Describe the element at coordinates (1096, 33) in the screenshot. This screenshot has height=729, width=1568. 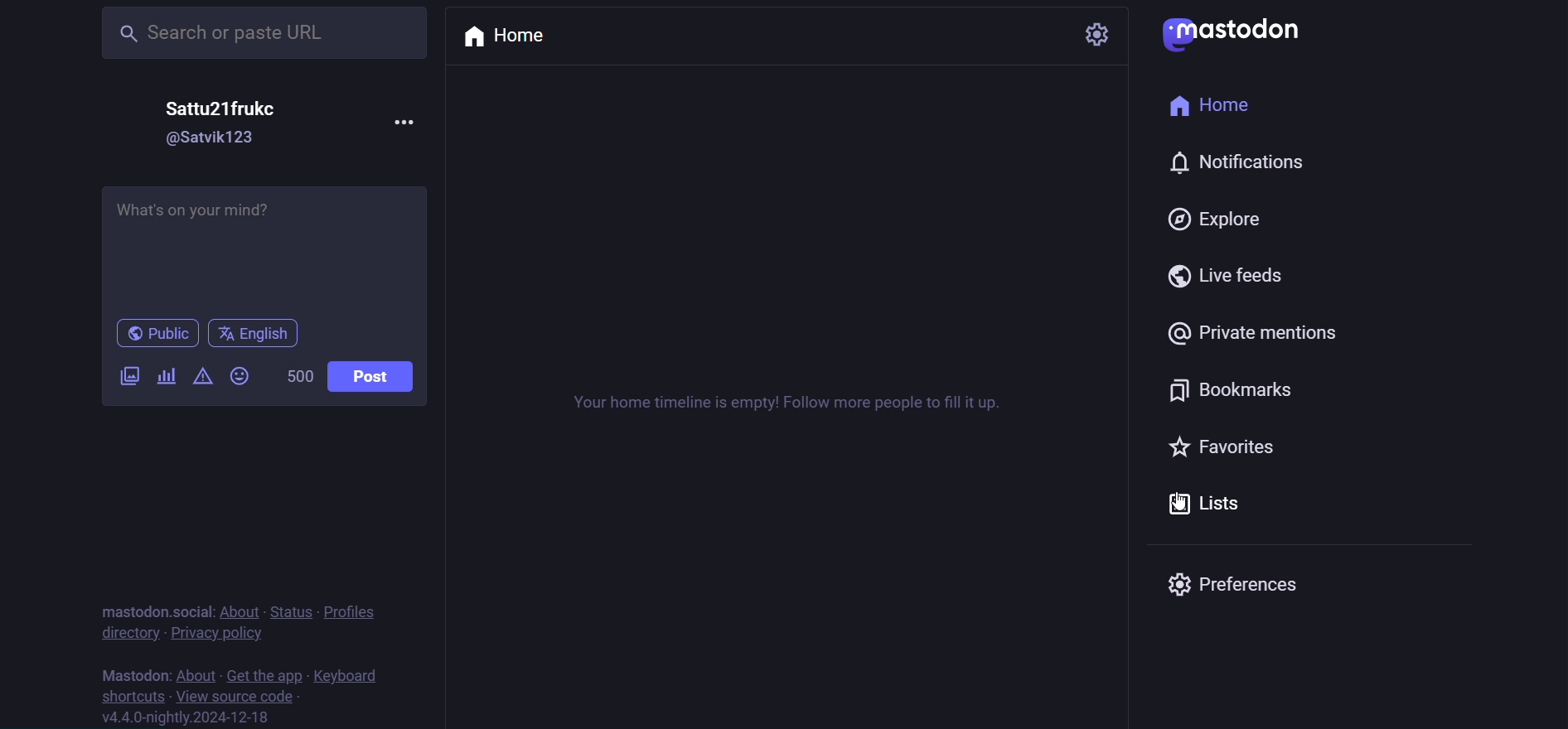
I see `setting` at that location.